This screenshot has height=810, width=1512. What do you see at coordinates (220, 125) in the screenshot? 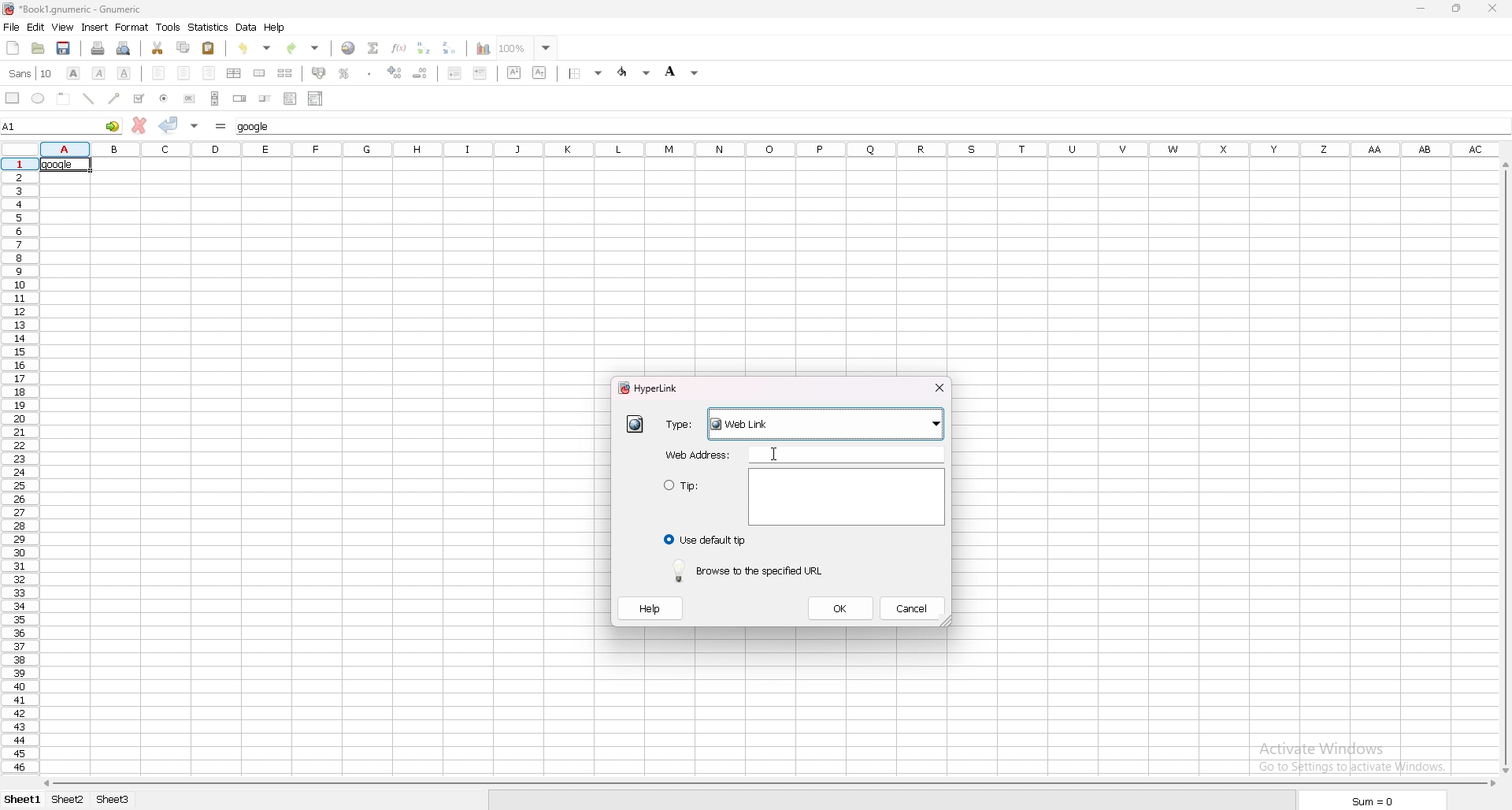
I see `formula` at bounding box center [220, 125].